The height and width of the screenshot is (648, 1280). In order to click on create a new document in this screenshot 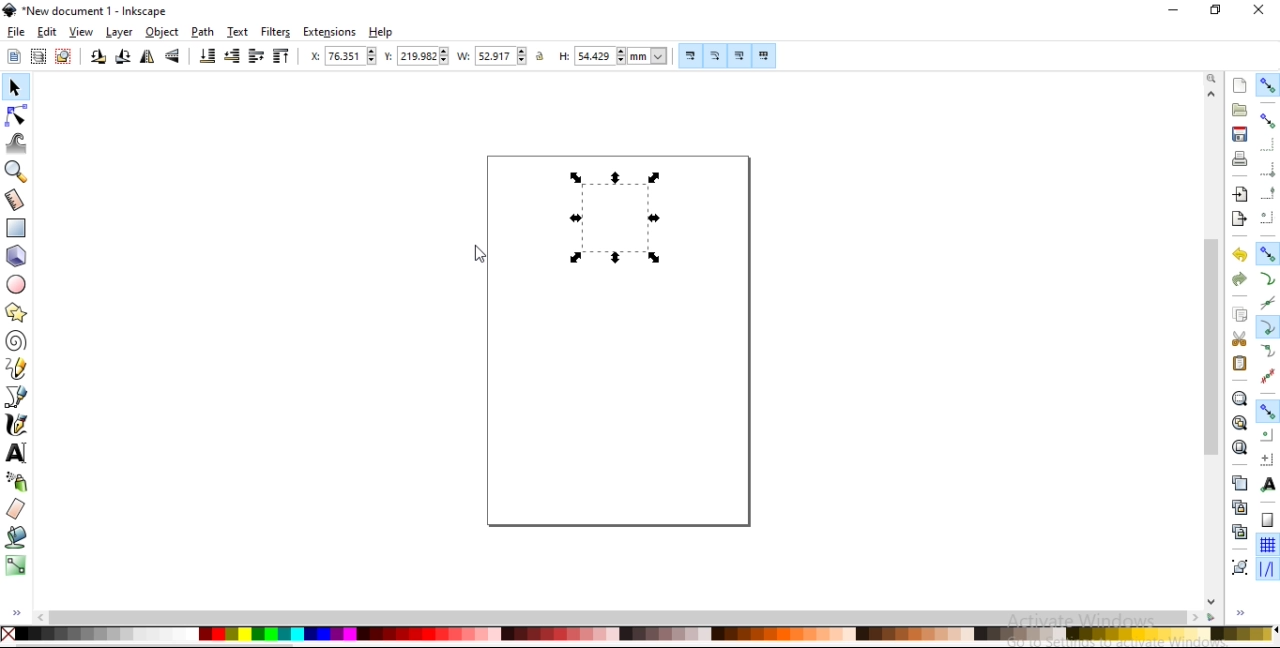, I will do `click(1241, 85)`.